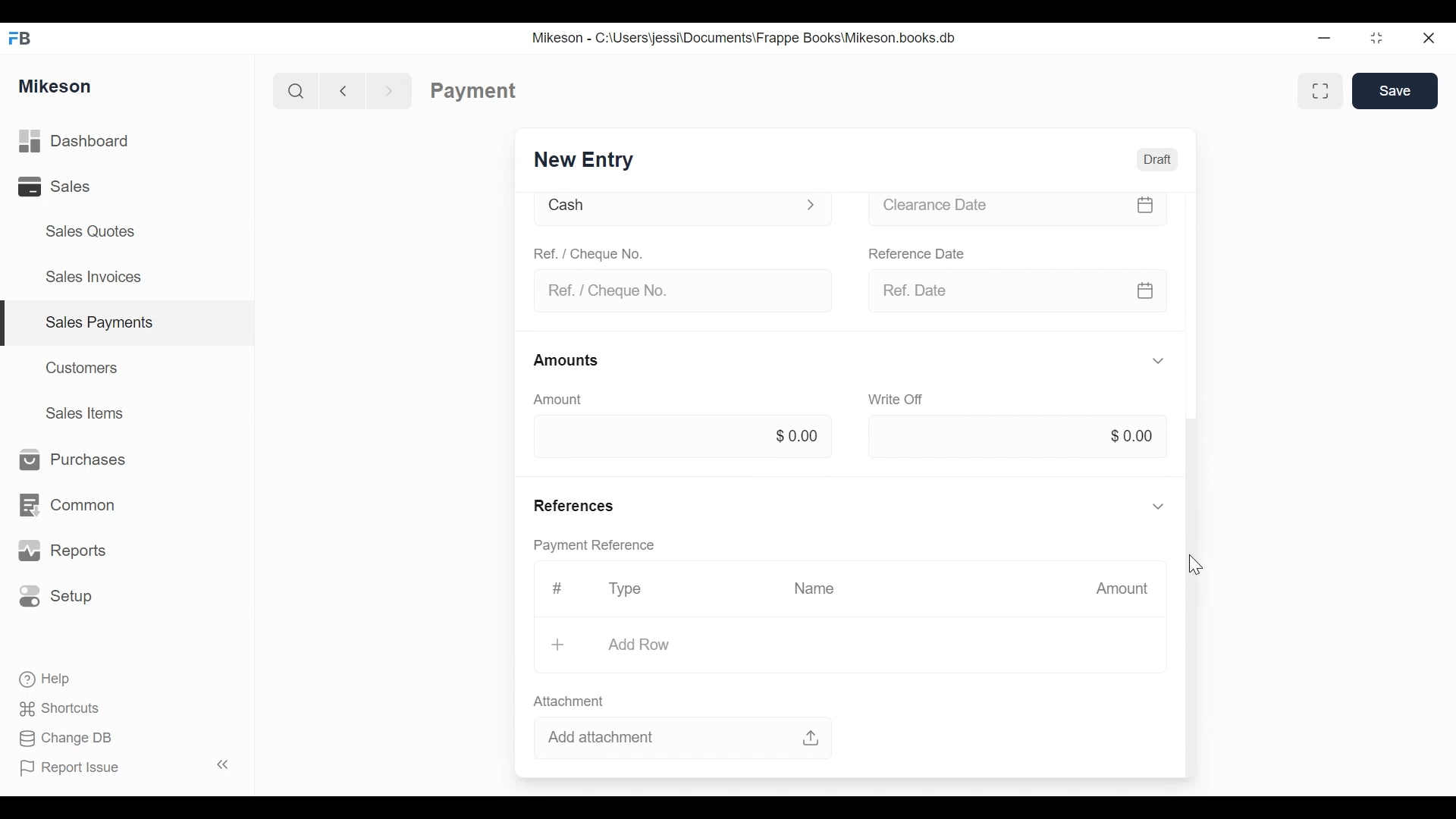 The width and height of the screenshot is (1456, 819). Describe the element at coordinates (1147, 291) in the screenshot. I see `calender` at that location.